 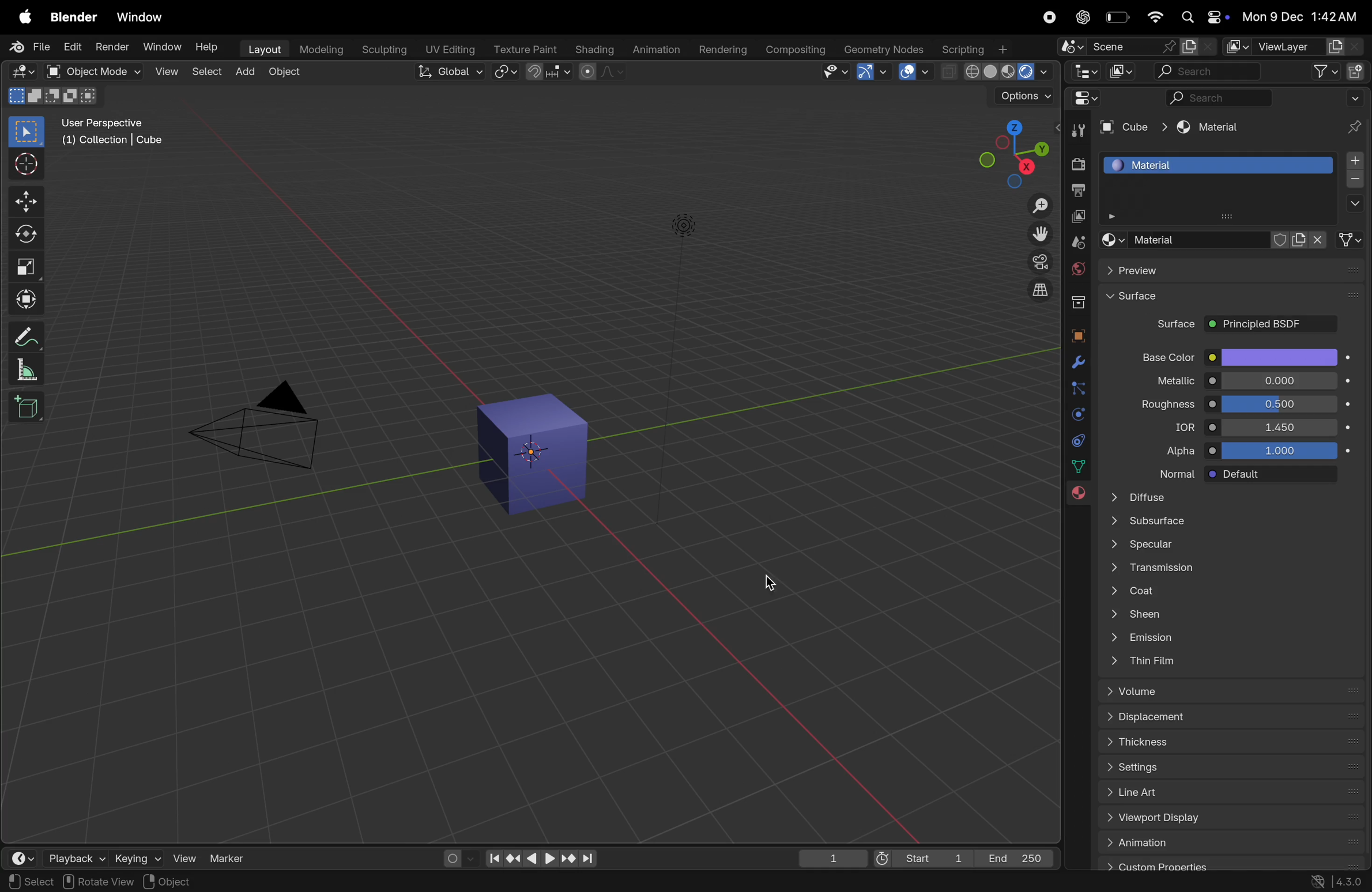 I want to click on transform, so click(x=25, y=300).